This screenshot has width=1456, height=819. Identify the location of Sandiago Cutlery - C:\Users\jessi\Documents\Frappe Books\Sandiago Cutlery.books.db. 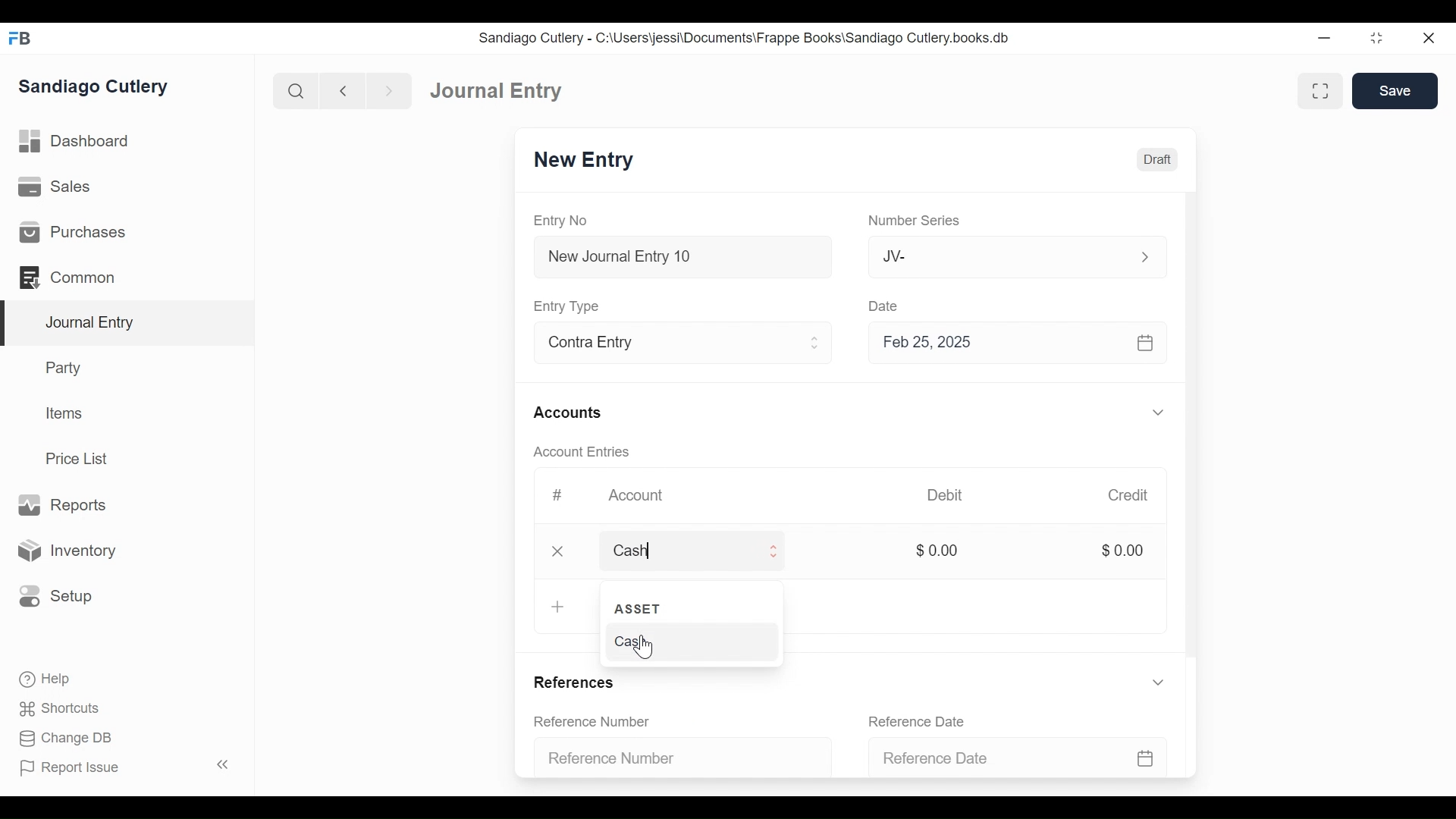
(747, 39).